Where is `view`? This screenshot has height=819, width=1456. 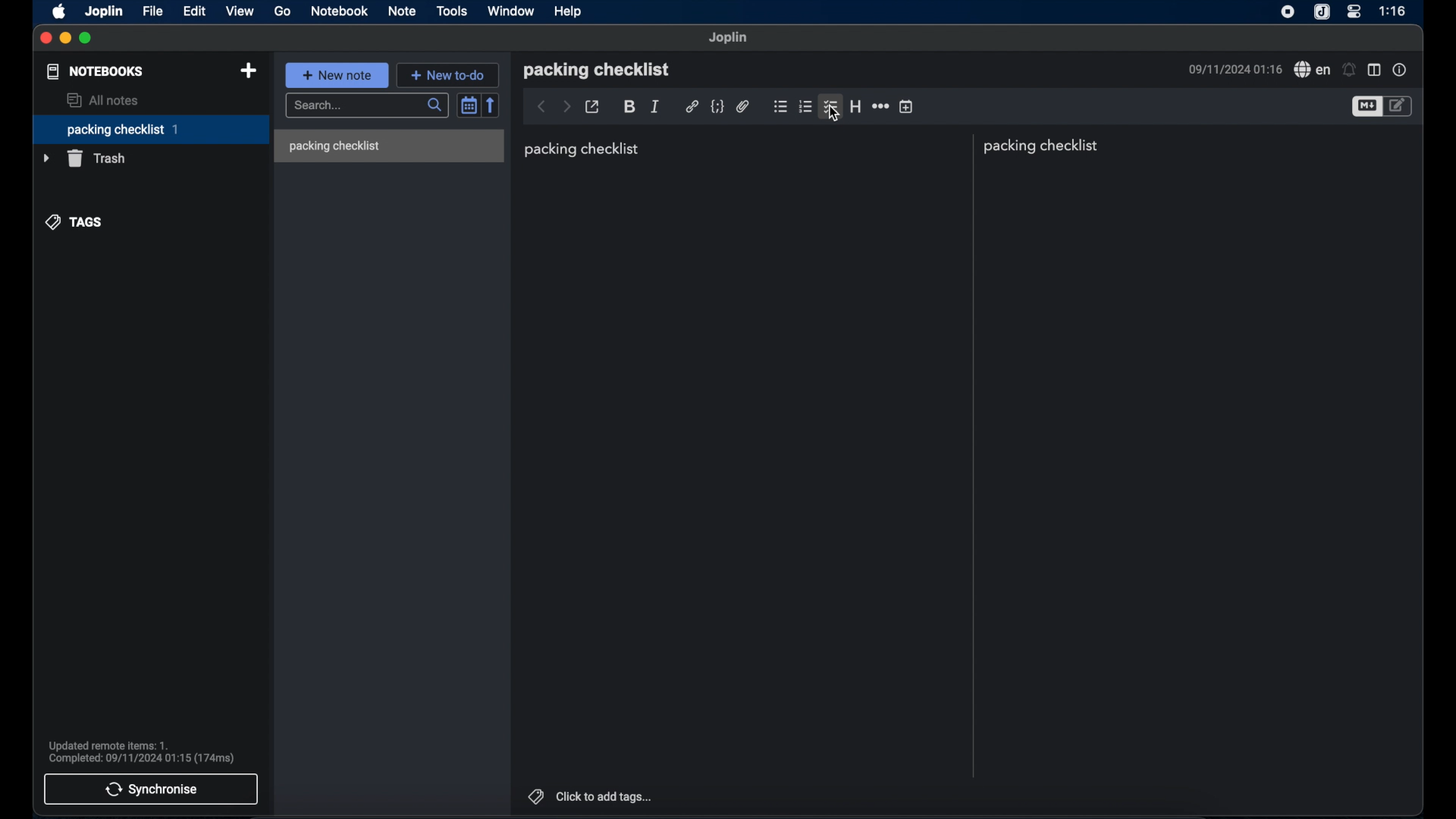 view is located at coordinates (240, 11).